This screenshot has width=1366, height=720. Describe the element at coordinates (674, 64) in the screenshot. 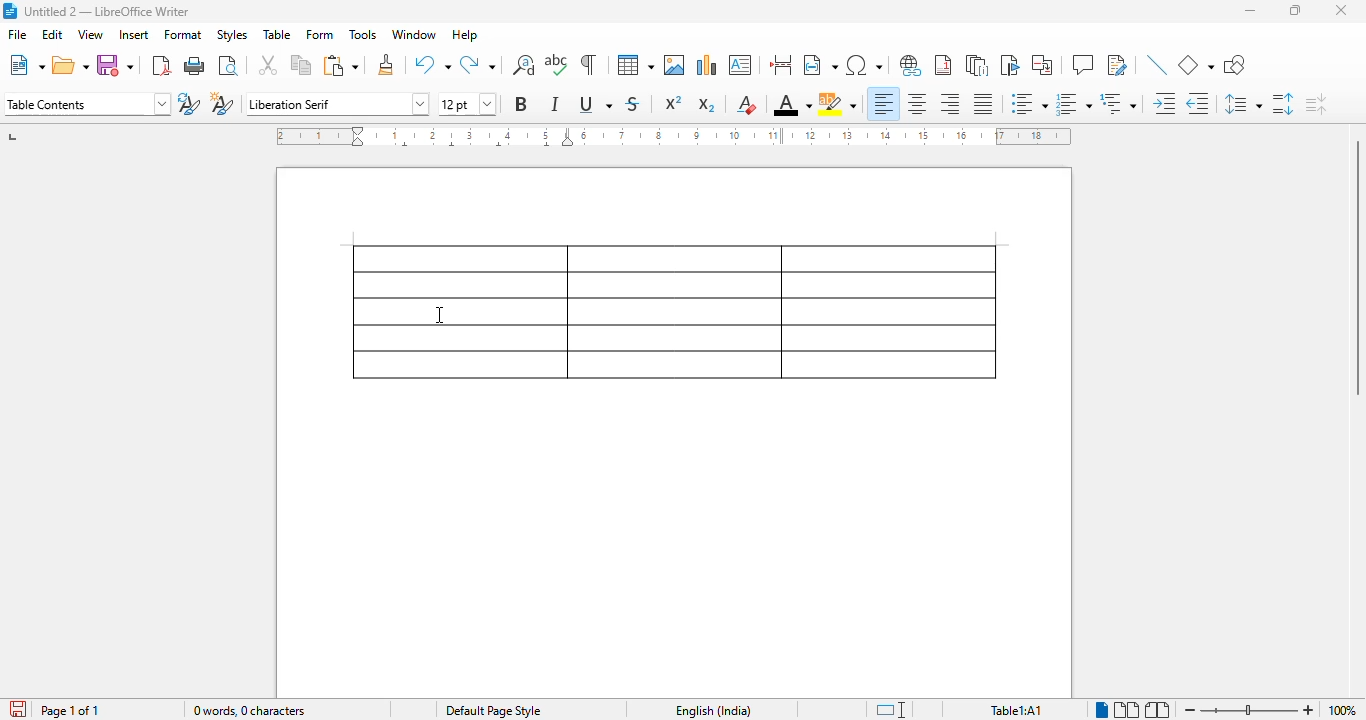

I see `insert image` at that location.